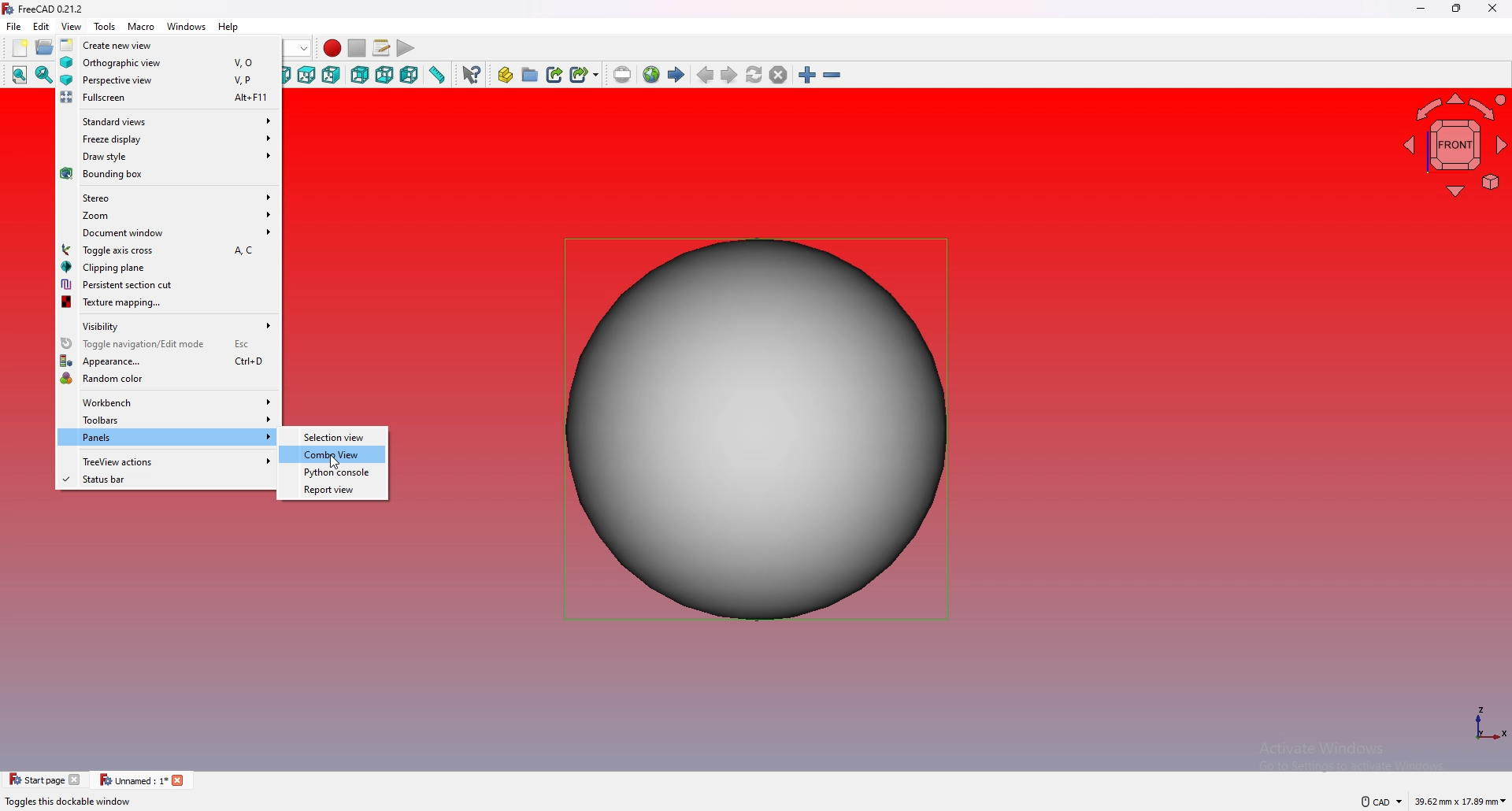 This screenshot has height=811, width=1512. I want to click on execute macro, so click(406, 48).